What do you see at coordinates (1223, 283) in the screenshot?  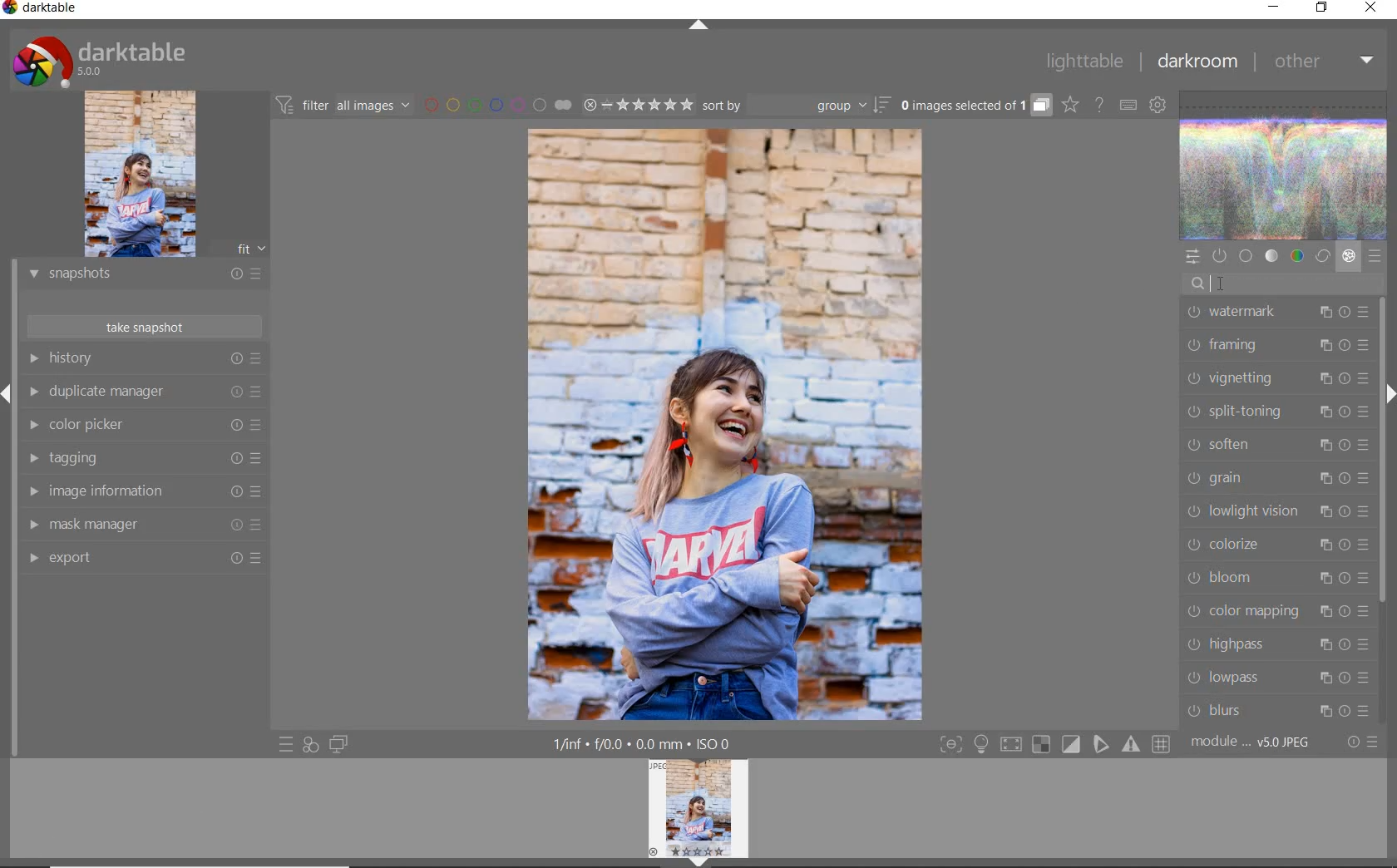 I see `cursor` at bounding box center [1223, 283].